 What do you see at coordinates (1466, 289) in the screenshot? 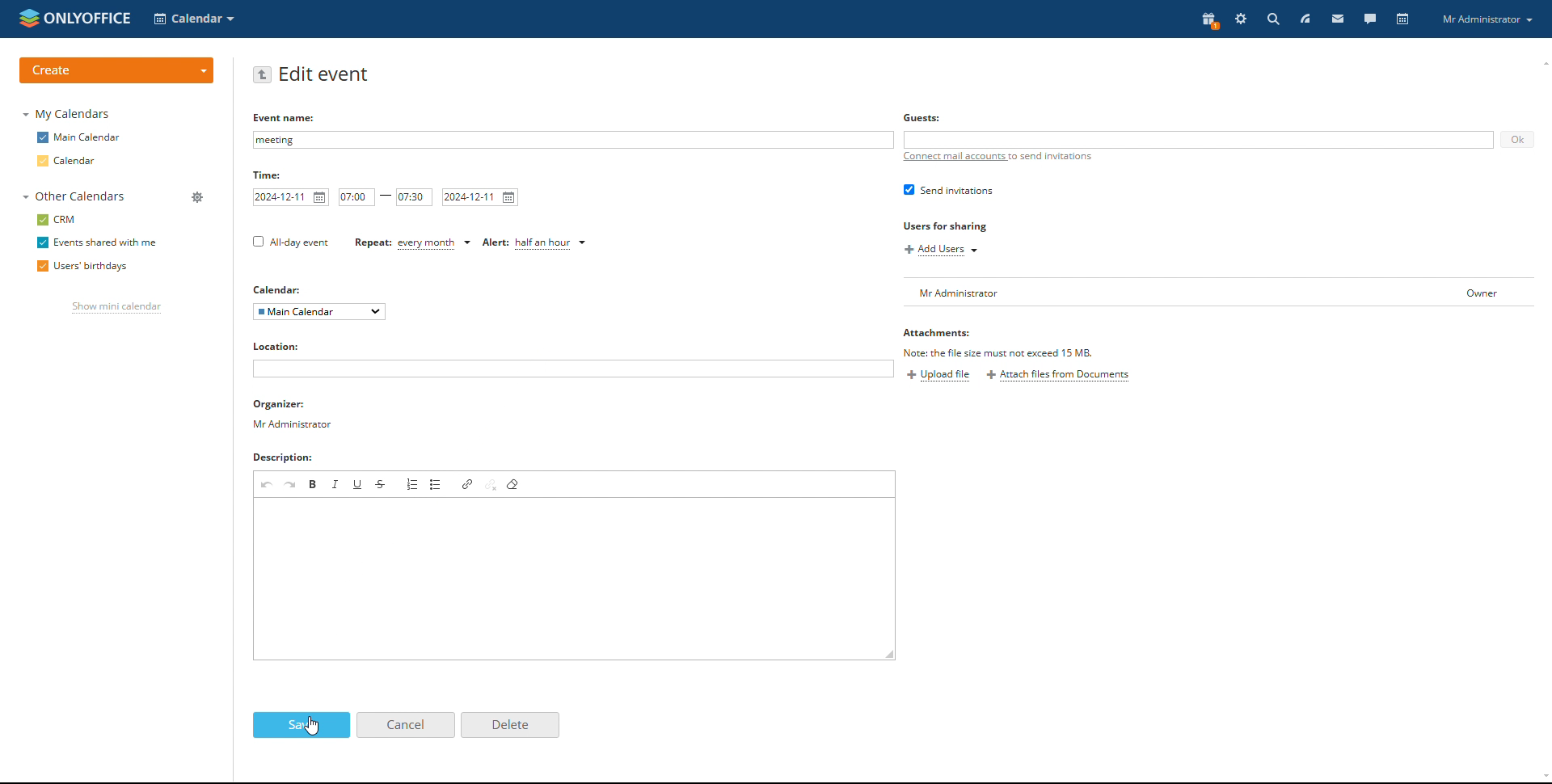
I see `Owner` at bounding box center [1466, 289].